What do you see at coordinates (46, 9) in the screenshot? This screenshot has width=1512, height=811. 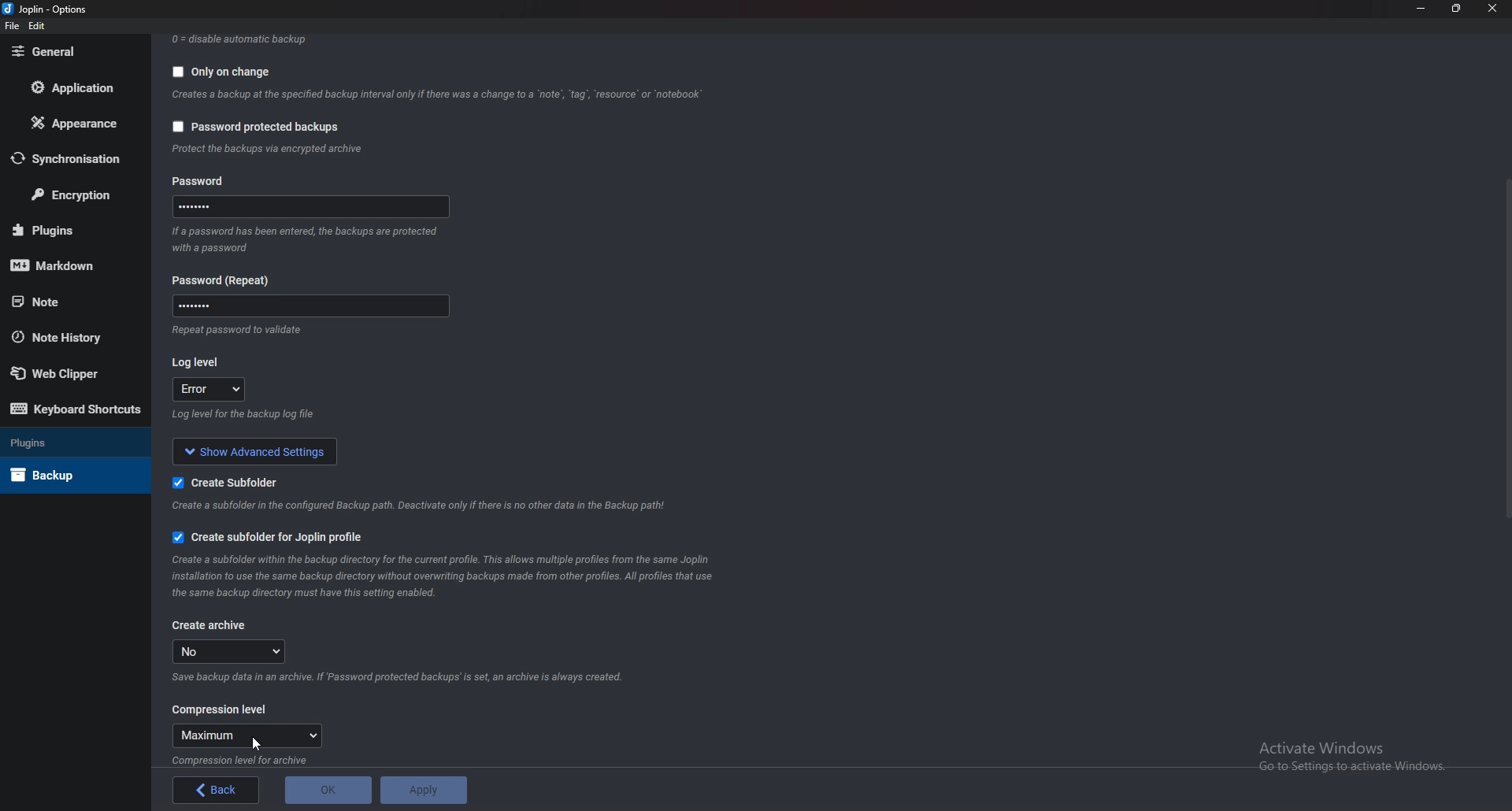 I see `joplin` at bounding box center [46, 9].